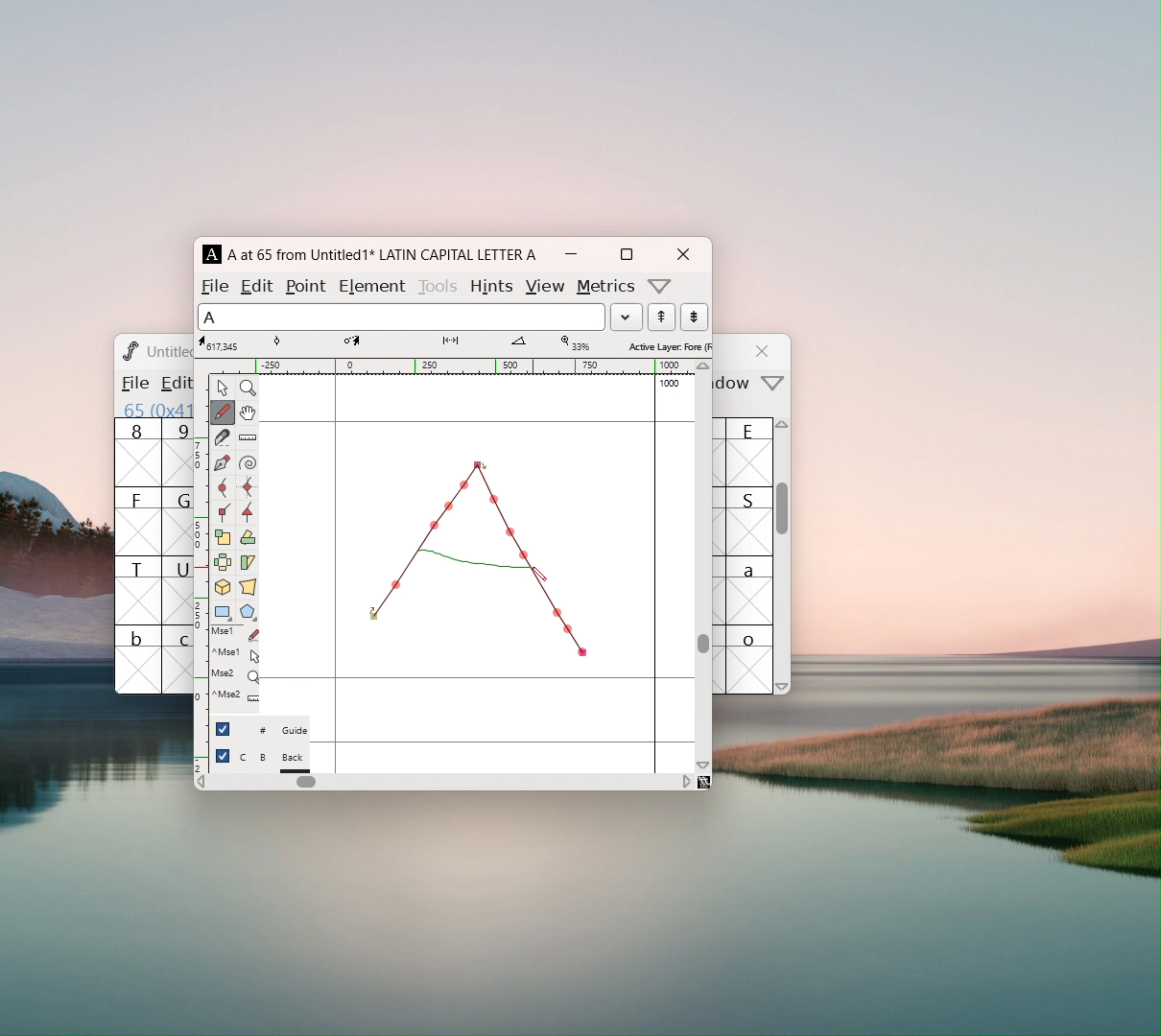 Image resolution: width=1161 pixels, height=1036 pixels. What do you see at coordinates (466, 345) in the screenshot?
I see `distance from starting point` at bounding box center [466, 345].